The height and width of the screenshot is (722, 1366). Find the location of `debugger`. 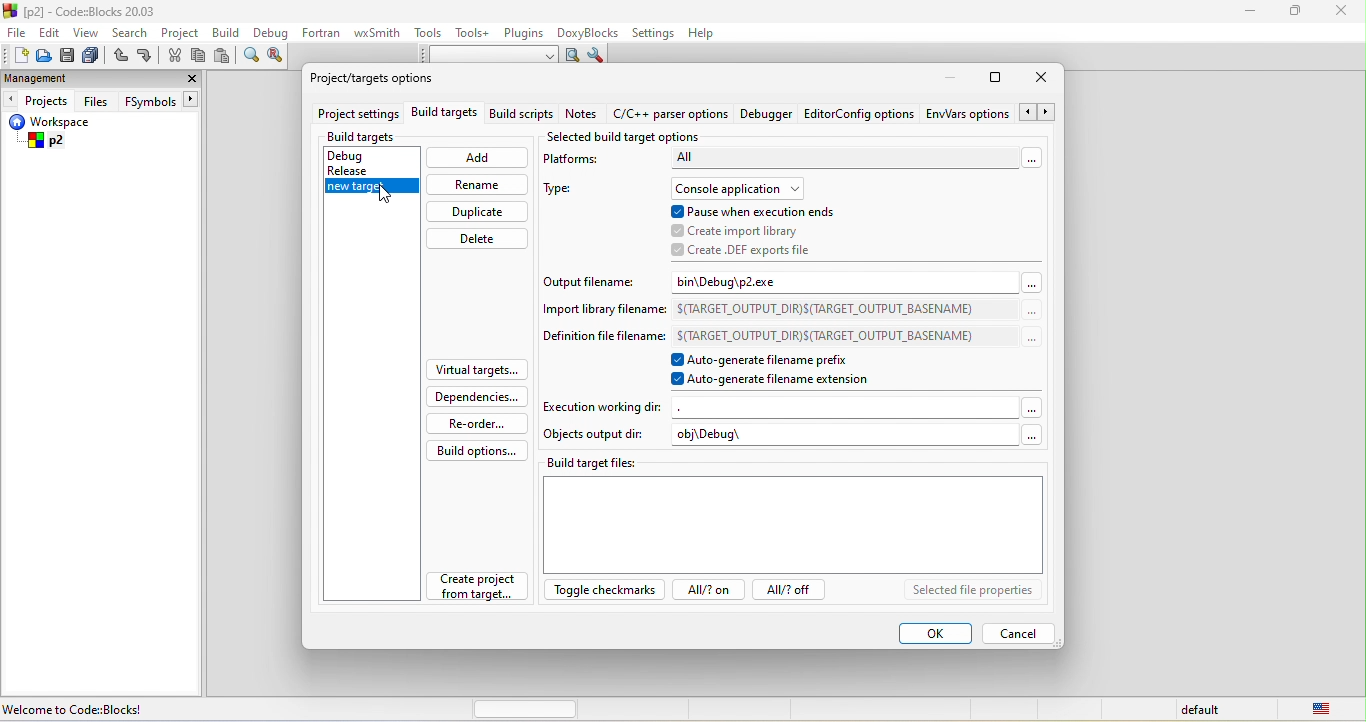

debugger is located at coordinates (768, 116).